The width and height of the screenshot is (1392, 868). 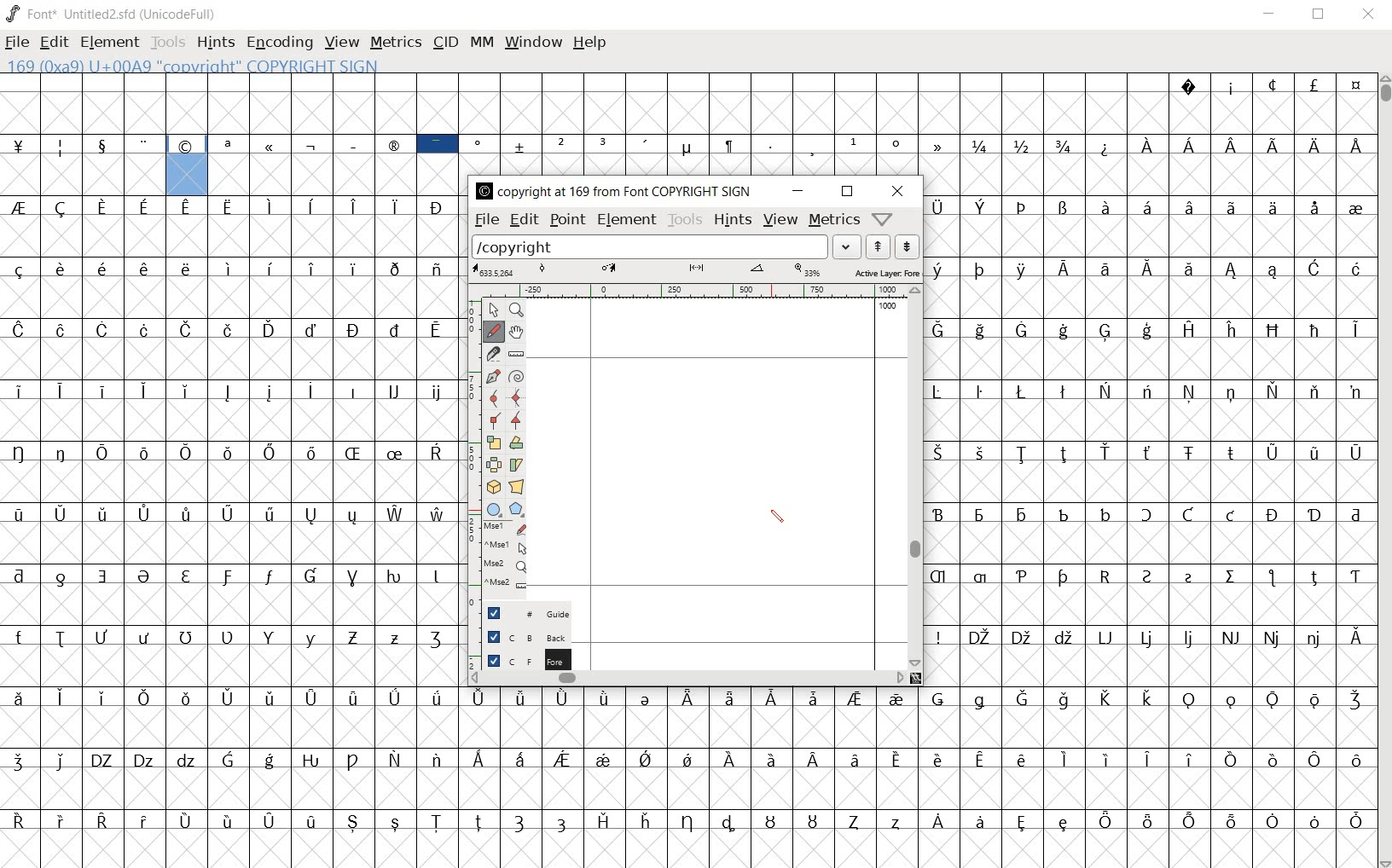 What do you see at coordinates (517, 488) in the screenshot?
I see `perform a perspective transformation on the selection` at bounding box center [517, 488].